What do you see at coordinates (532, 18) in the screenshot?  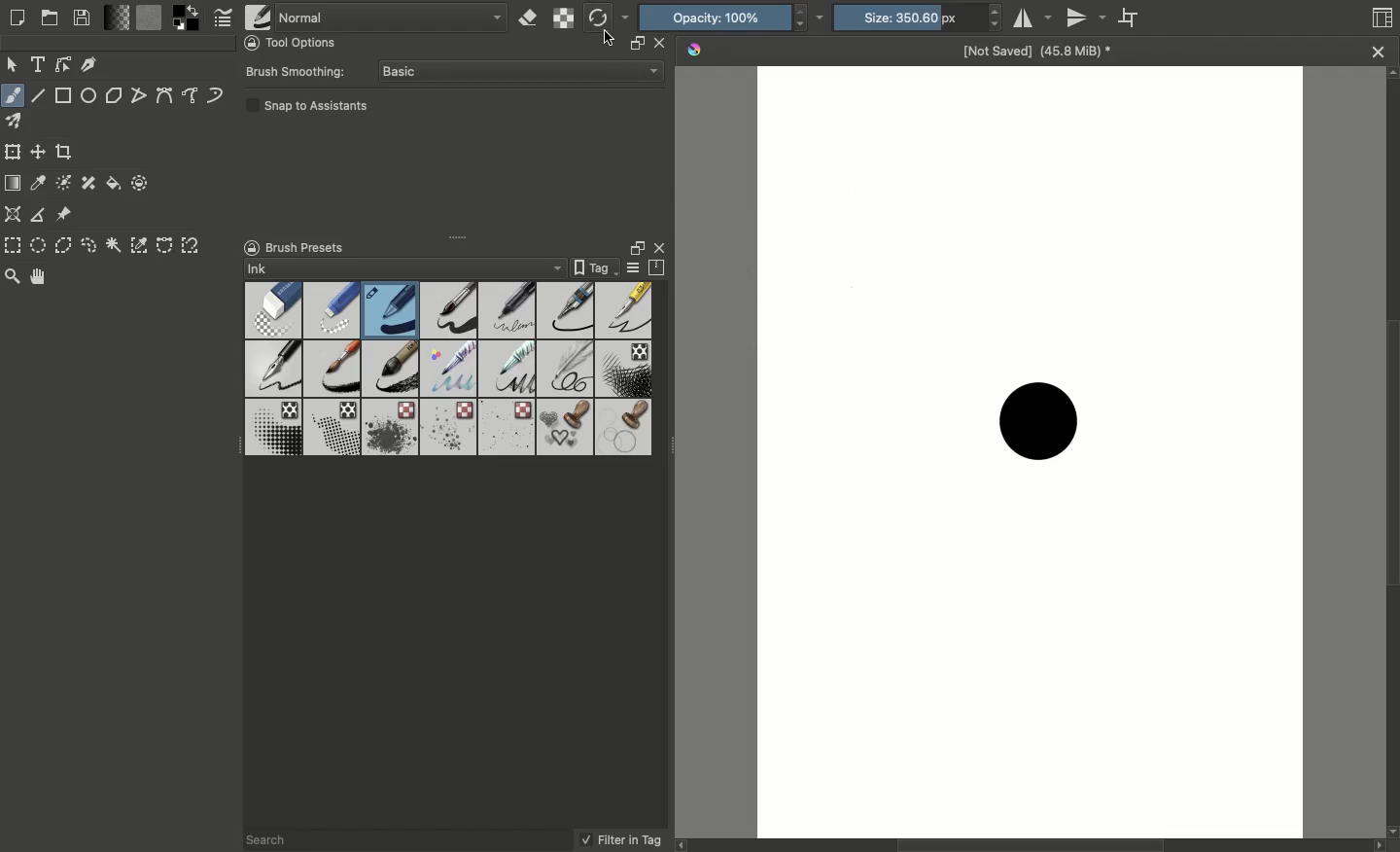 I see `Set eraser mode` at bounding box center [532, 18].